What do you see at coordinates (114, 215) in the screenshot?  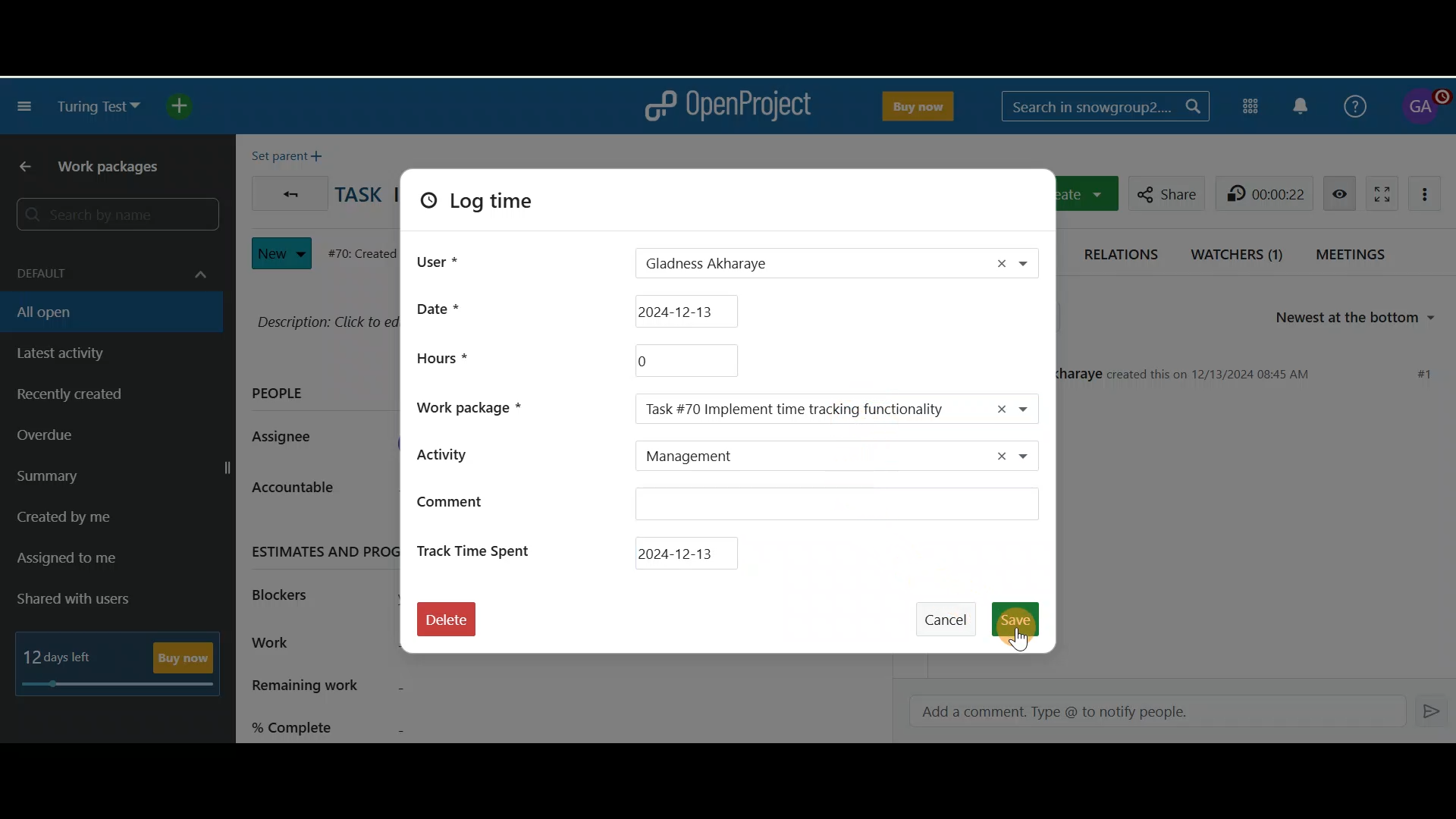 I see `Search by name` at bounding box center [114, 215].